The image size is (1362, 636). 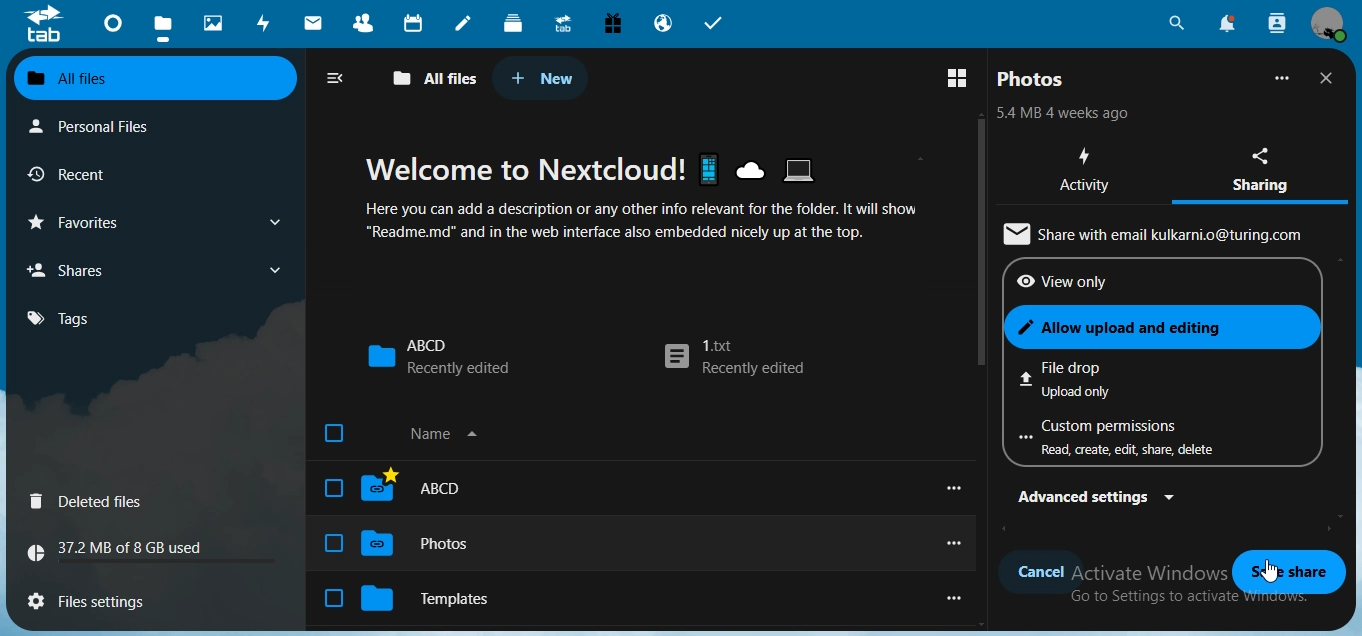 What do you see at coordinates (1330, 78) in the screenshot?
I see `close` at bounding box center [1330, 78].